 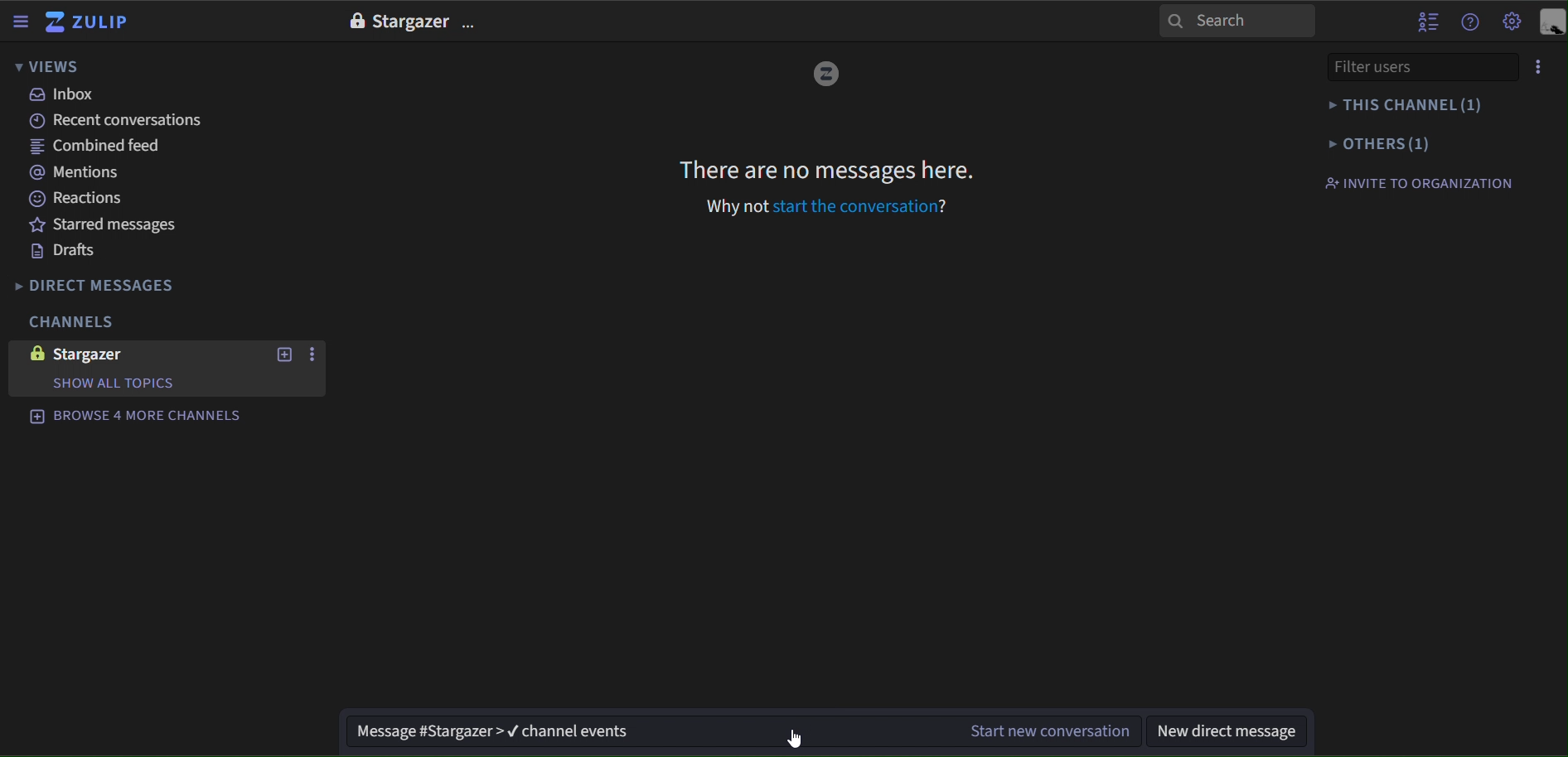 I want to click on views, so click(x=48, y=68).